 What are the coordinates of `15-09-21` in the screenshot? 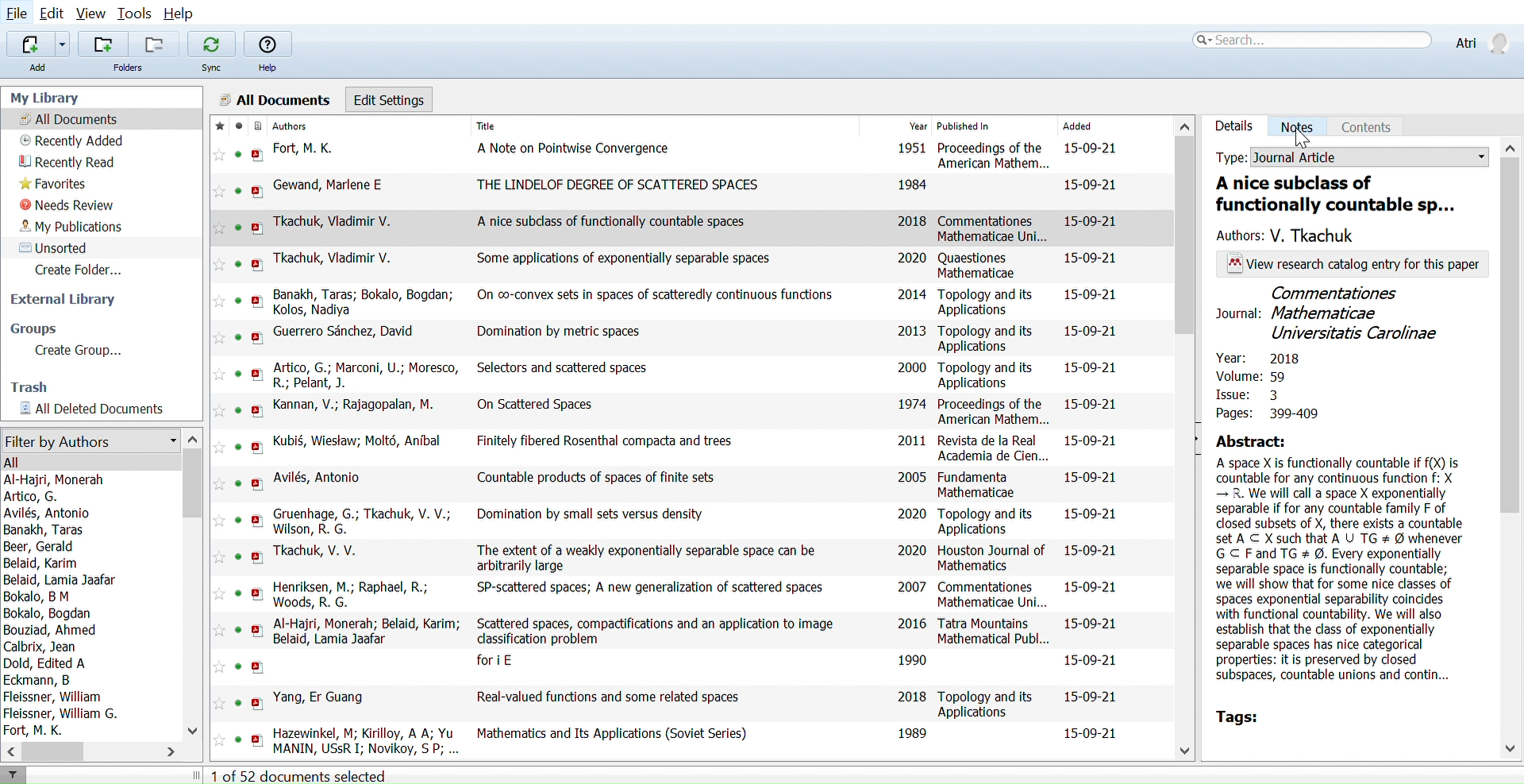 It's located at (1095, 258).